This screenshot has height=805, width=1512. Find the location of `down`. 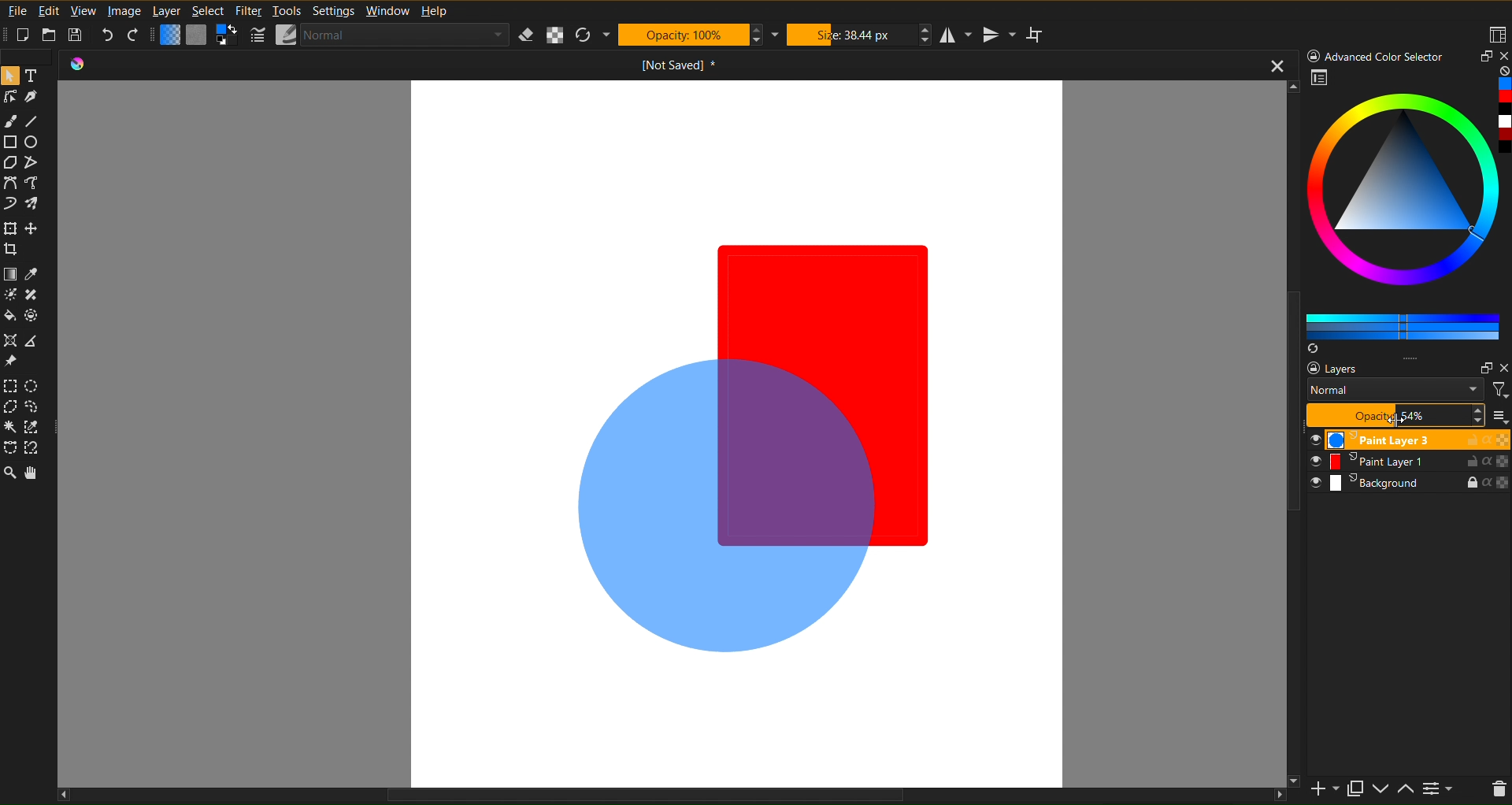

down is located at coordinates (1382, 788).